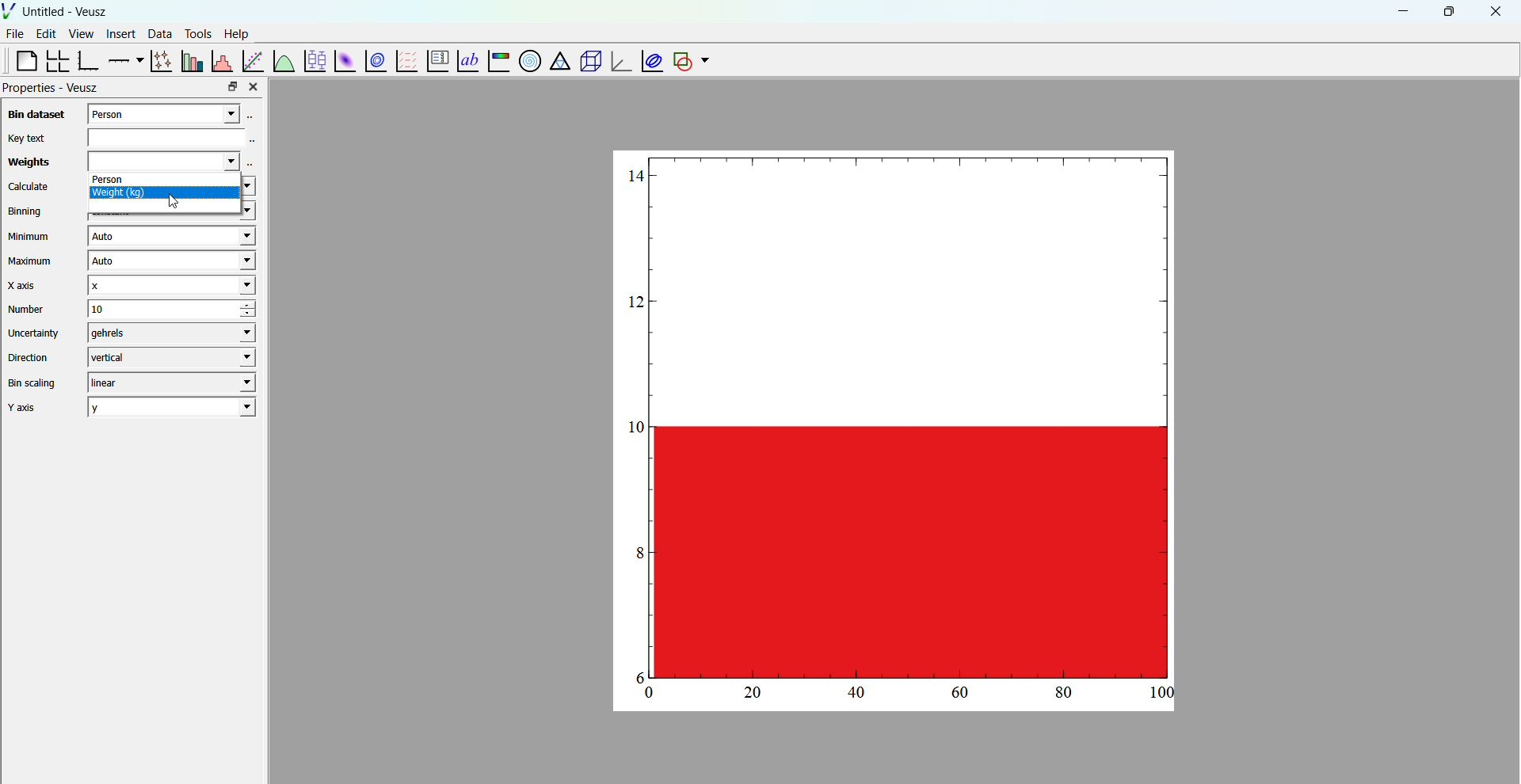  What do you see at coordinates (158, 33) in the screenshot?
I see `data` at bounding box center [158, 33].